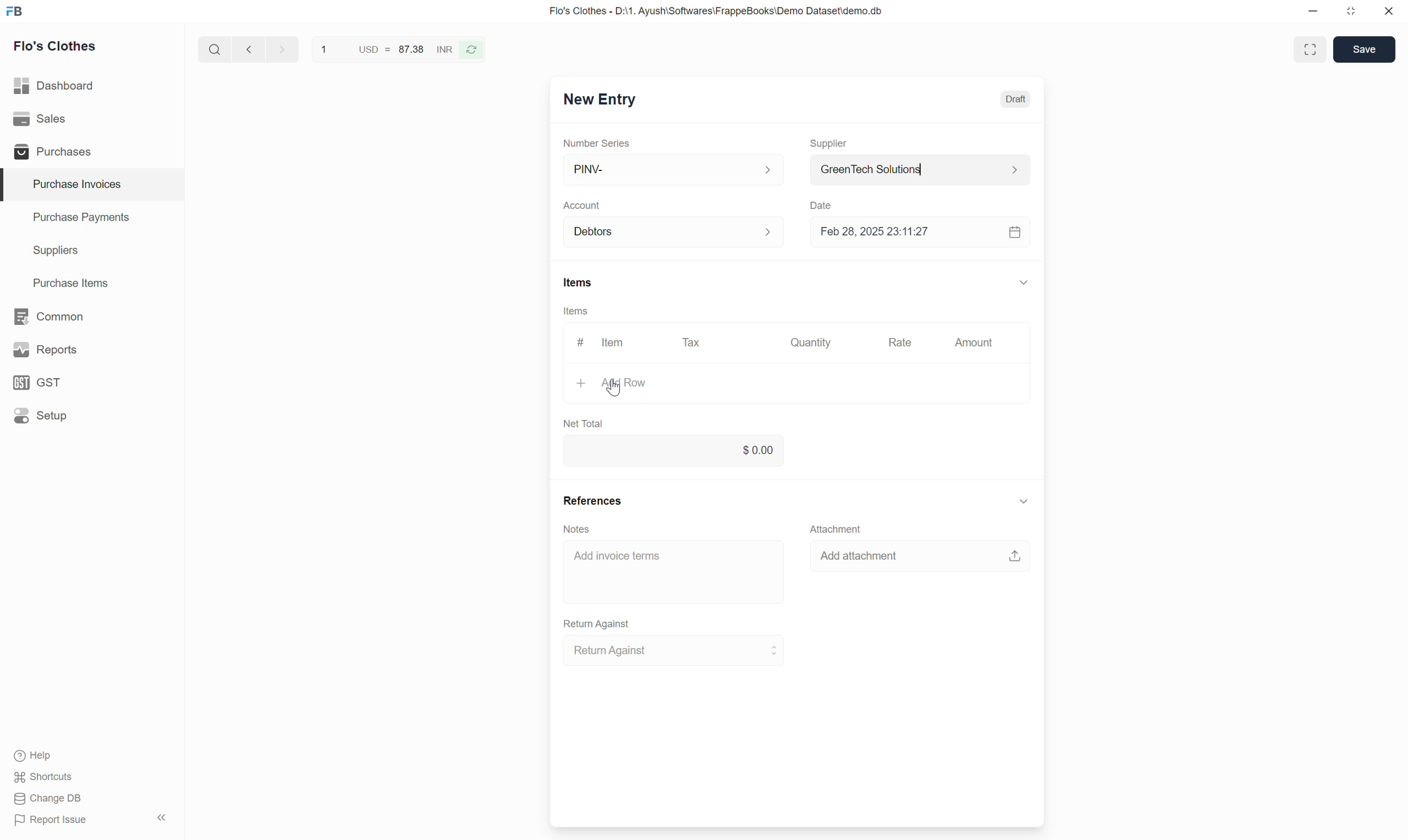 Image resolution: width=1408 pixels, height=840 pixels. What do you see at coordinates (1313, 11) in the screenshot?
I see `Minimize` at bounding box center [1313, 11].